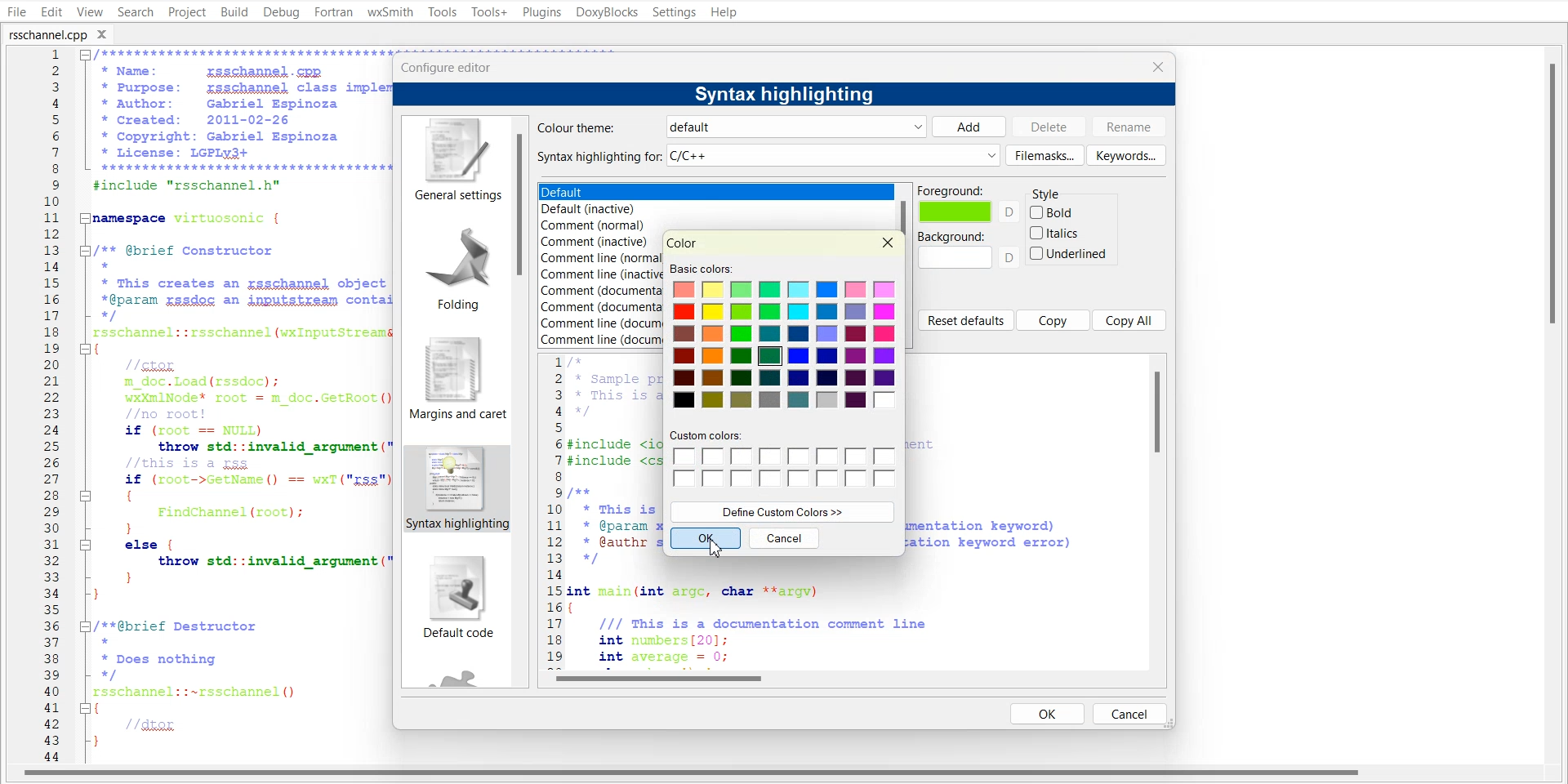 Image resolution: width=1568 pixels, height=784 pixels. Describe the element at coordinates (889, 243) in the screenshot. I see `Close` at that location.